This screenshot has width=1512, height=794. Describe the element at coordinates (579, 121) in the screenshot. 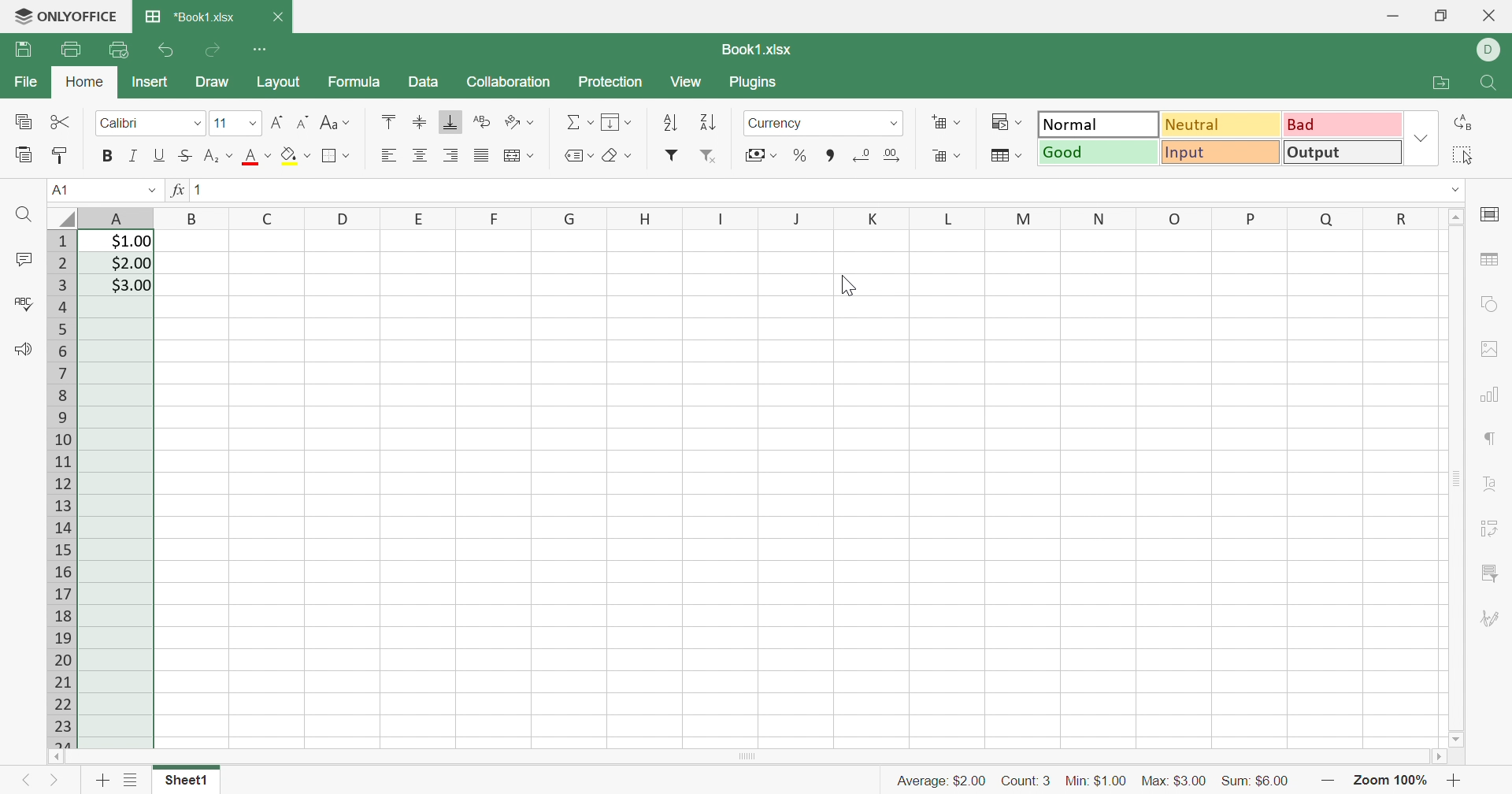

I see `Summation` at that location.